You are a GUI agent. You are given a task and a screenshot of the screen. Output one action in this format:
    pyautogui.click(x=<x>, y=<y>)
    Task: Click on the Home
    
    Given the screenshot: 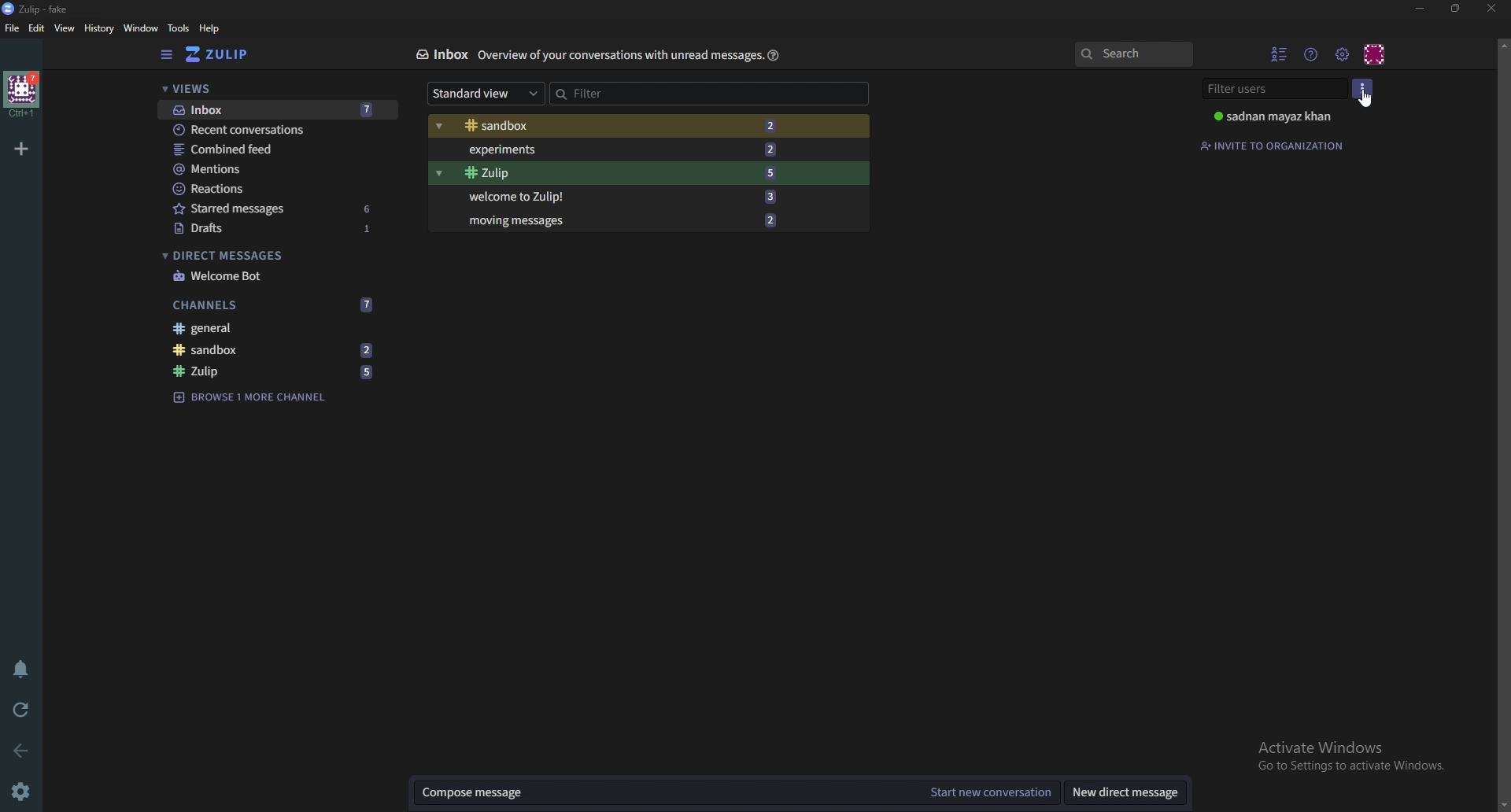 What is the action you would take?
    pyautogui.click(x=22, y=93)
    